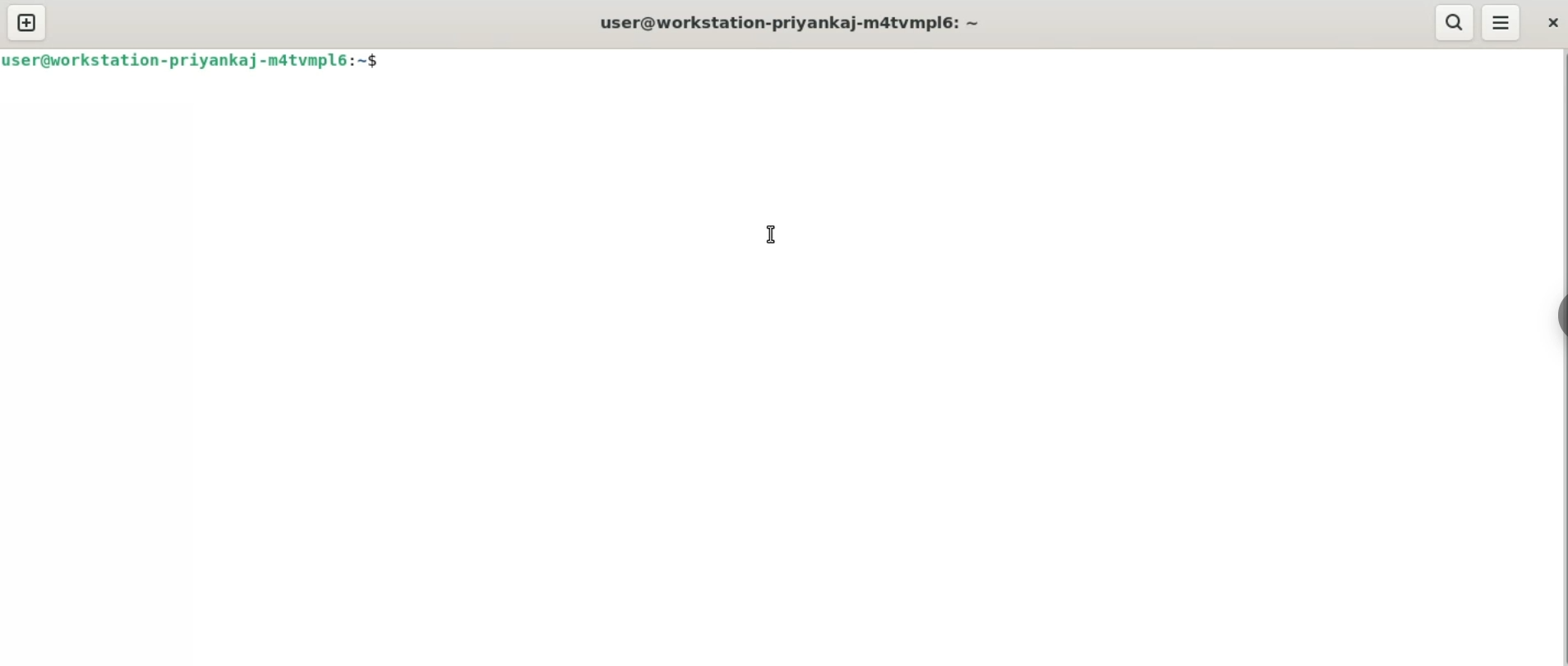 Image resolution: width=1568 pixels, height=666 pixels. What do you see at coordinates (1457, 22) in the screenshot?
I see `search` at bounding box center [1457, 22].